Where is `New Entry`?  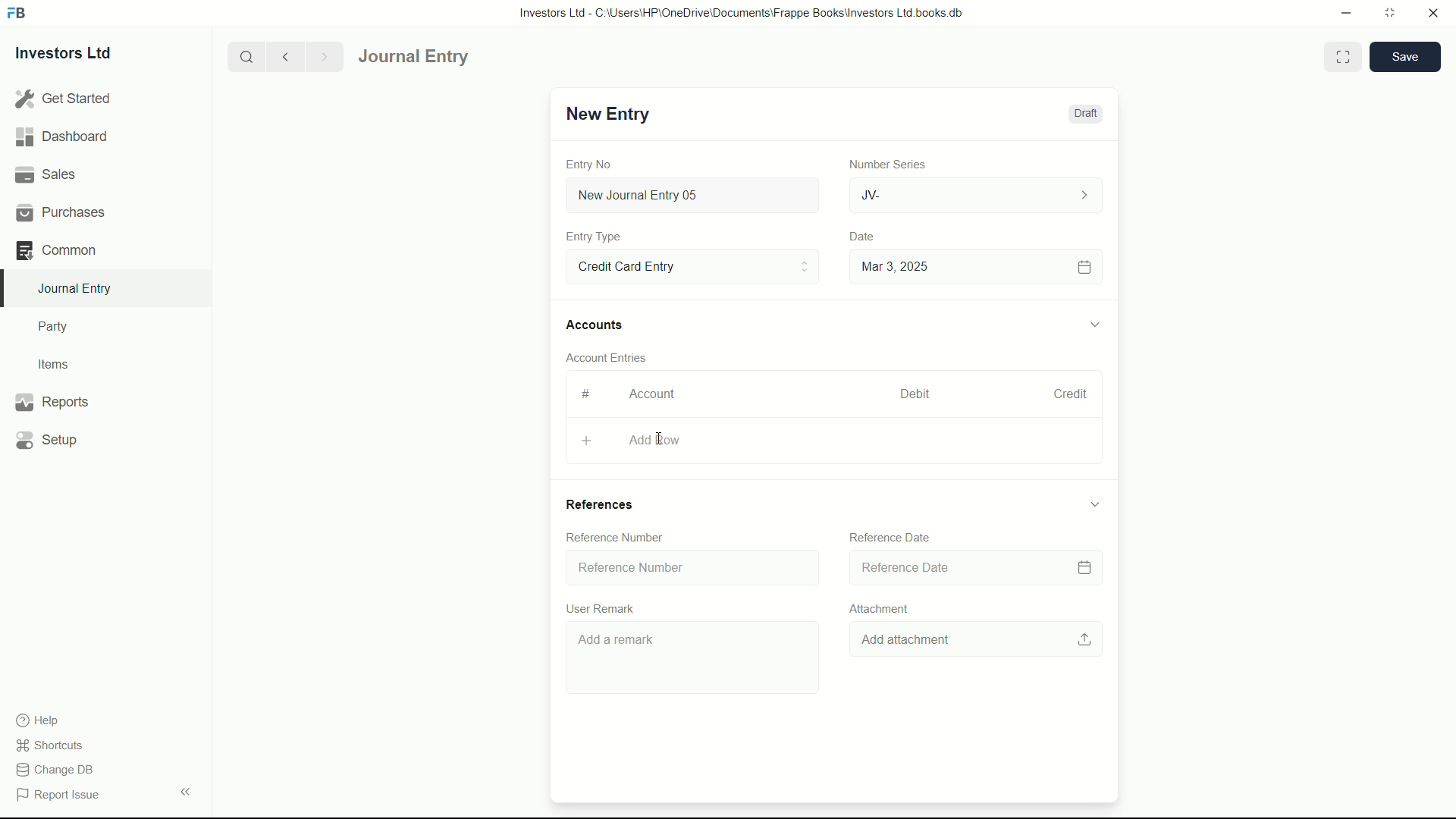 New Entry is located at coordinates (605, 114).